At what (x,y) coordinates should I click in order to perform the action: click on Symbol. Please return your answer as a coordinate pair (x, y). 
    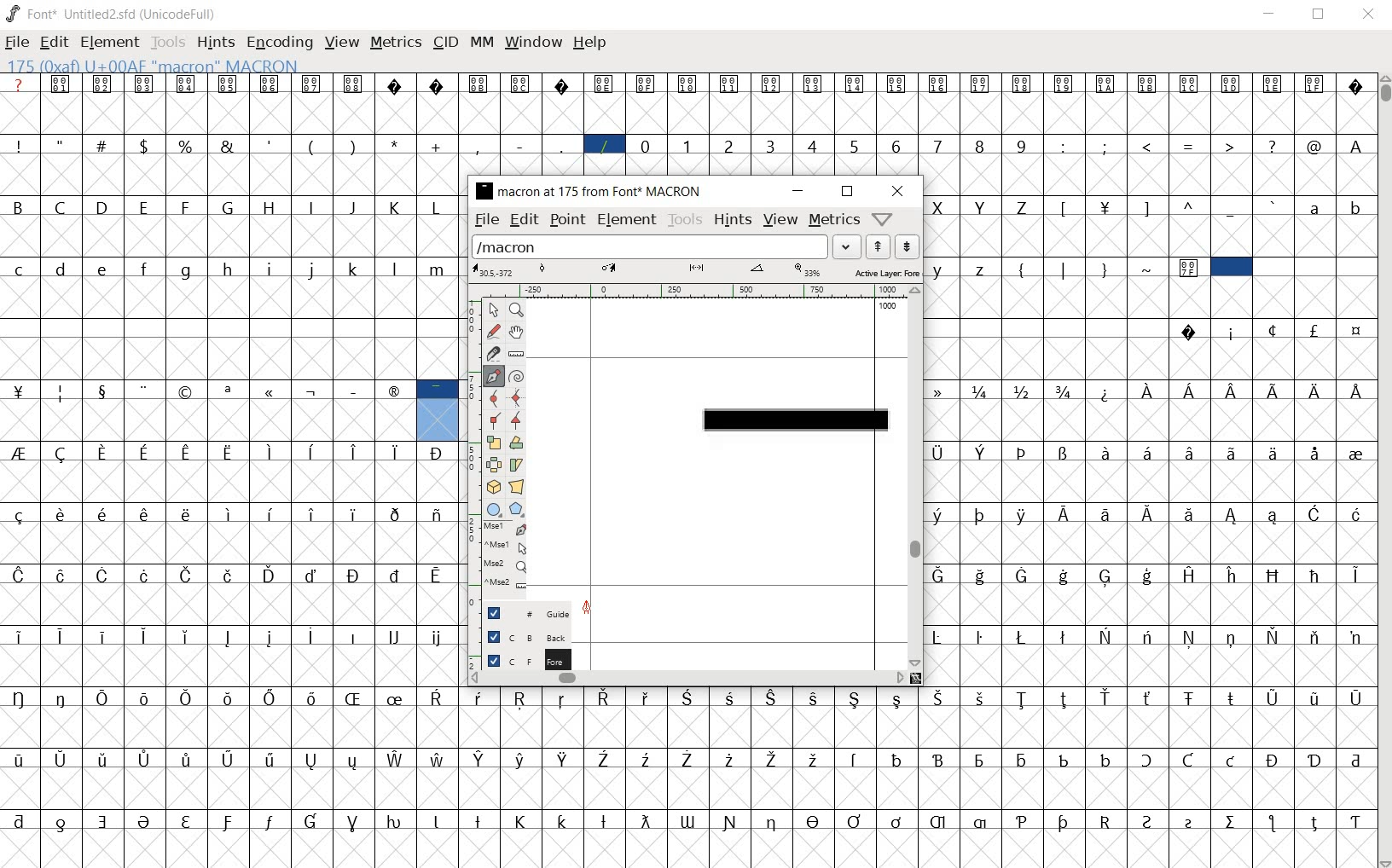
    Looking at the image, I should click on (64, 698).